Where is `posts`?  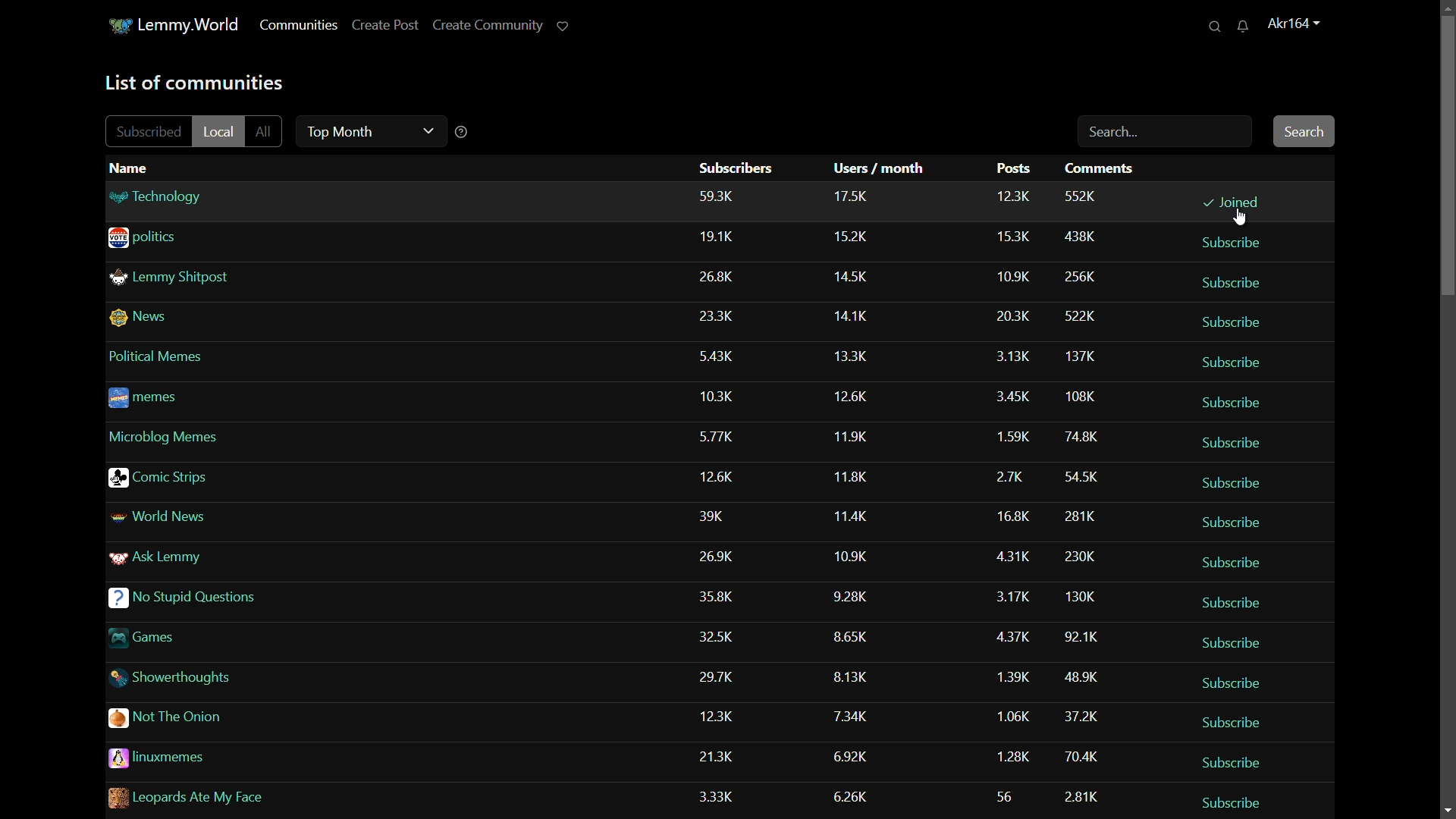 posts is located at coordinates (1012, 512).